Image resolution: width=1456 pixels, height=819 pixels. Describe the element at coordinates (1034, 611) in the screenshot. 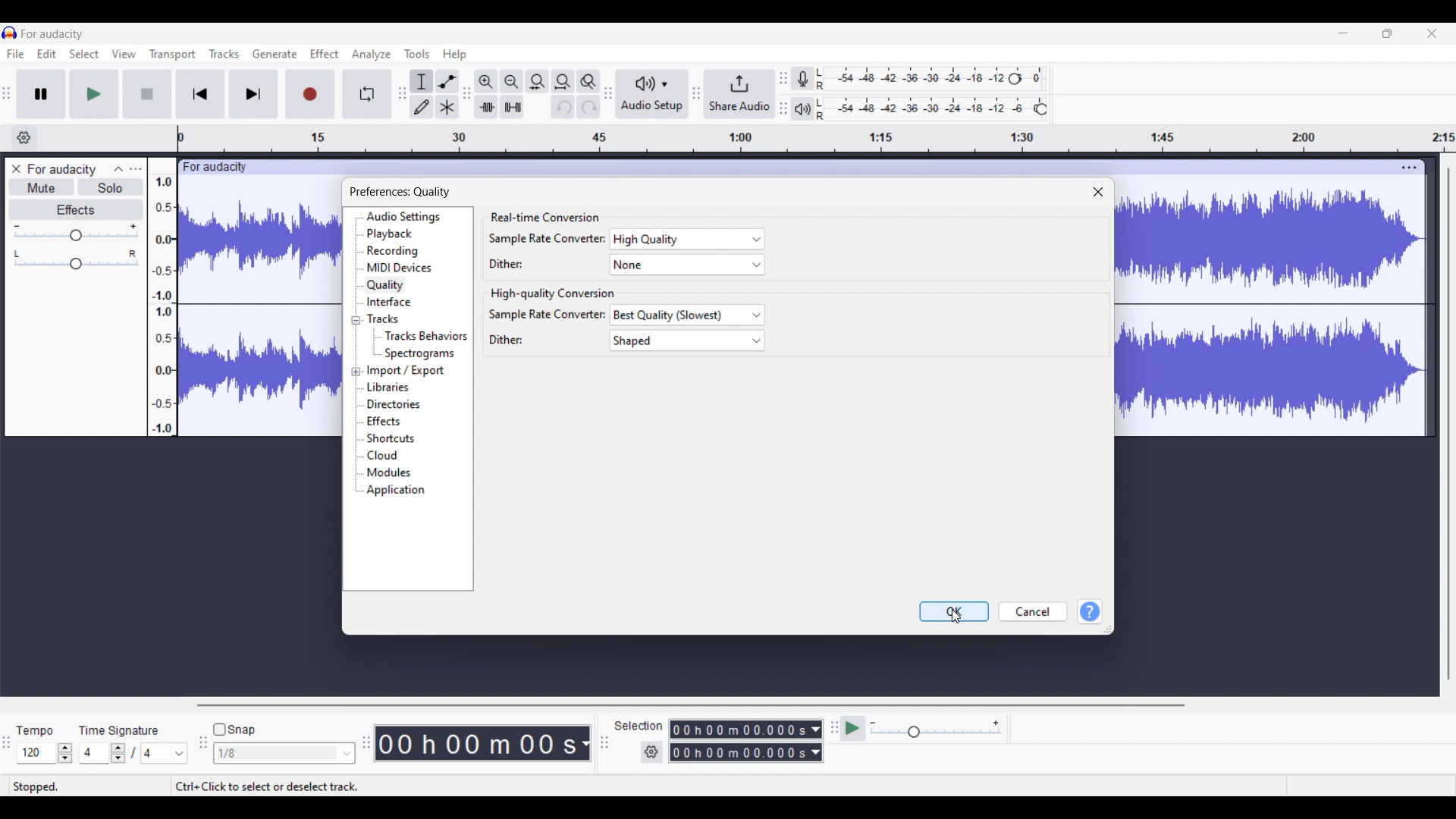

I see `Cancel` at that location.